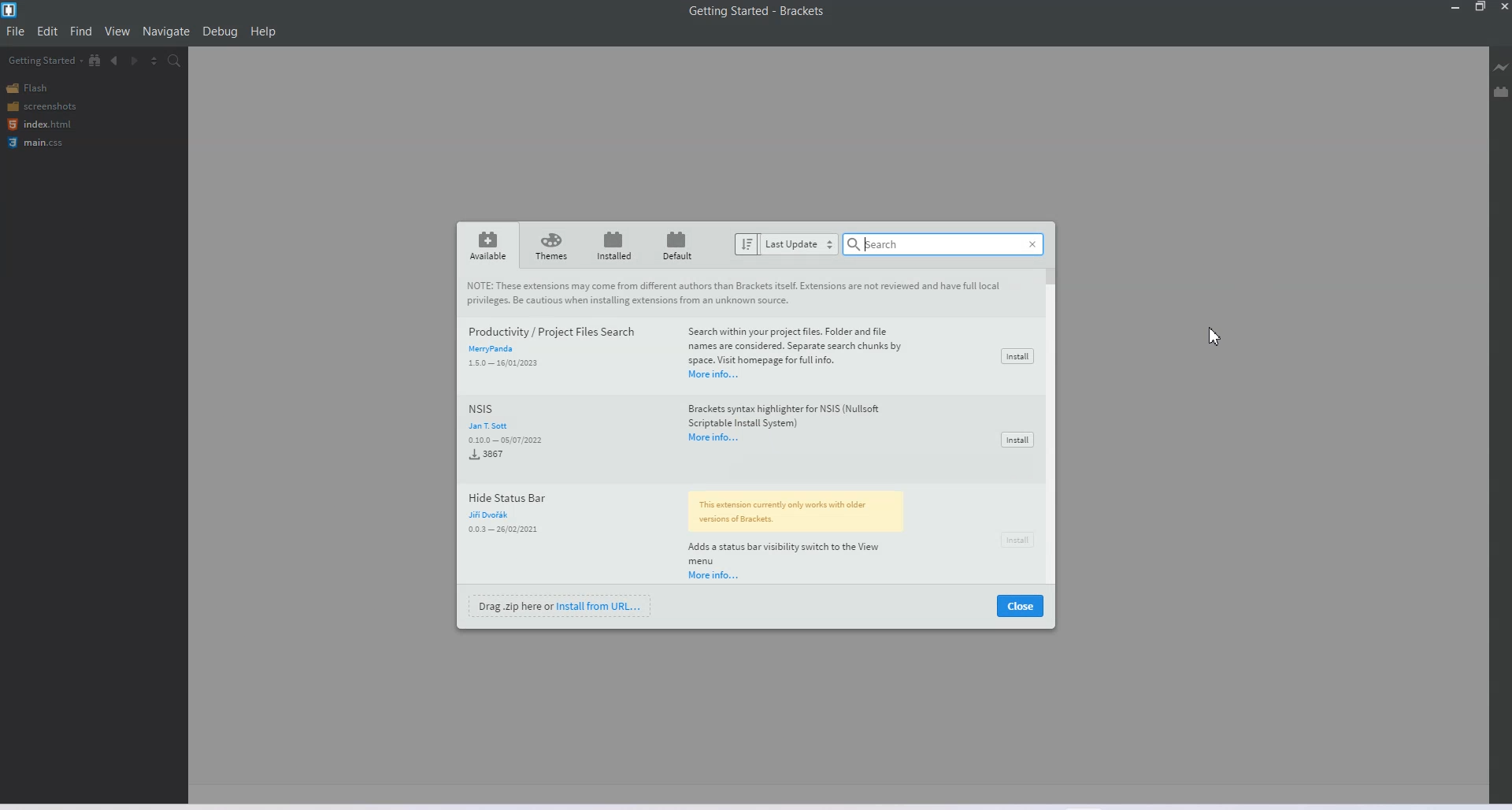 This screenshot has width=1512, height=810. I want to click on extension note, so click(791, 513).